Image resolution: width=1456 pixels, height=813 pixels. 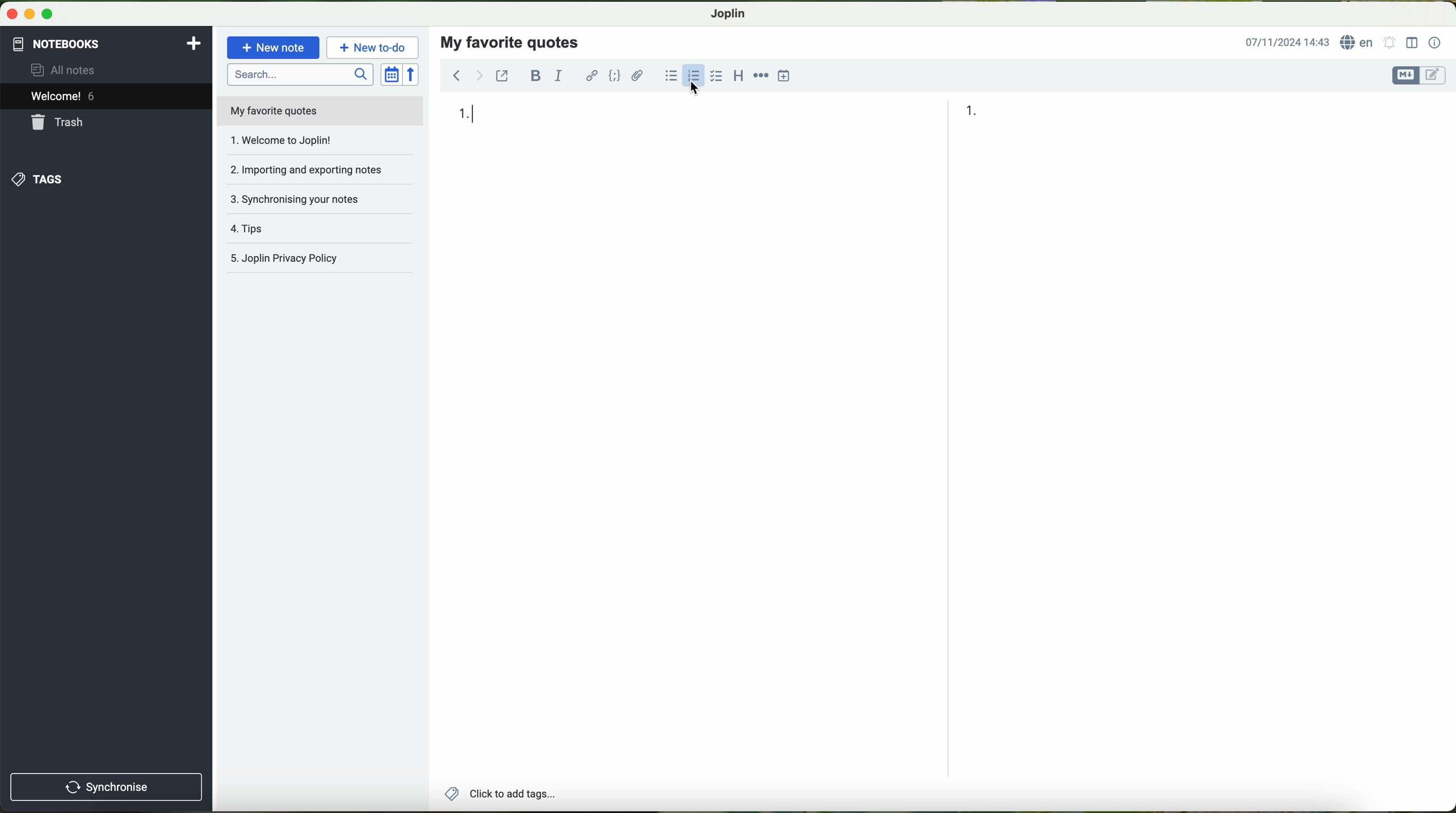 I want to click on hyperlink, so click(x=591, y=77).